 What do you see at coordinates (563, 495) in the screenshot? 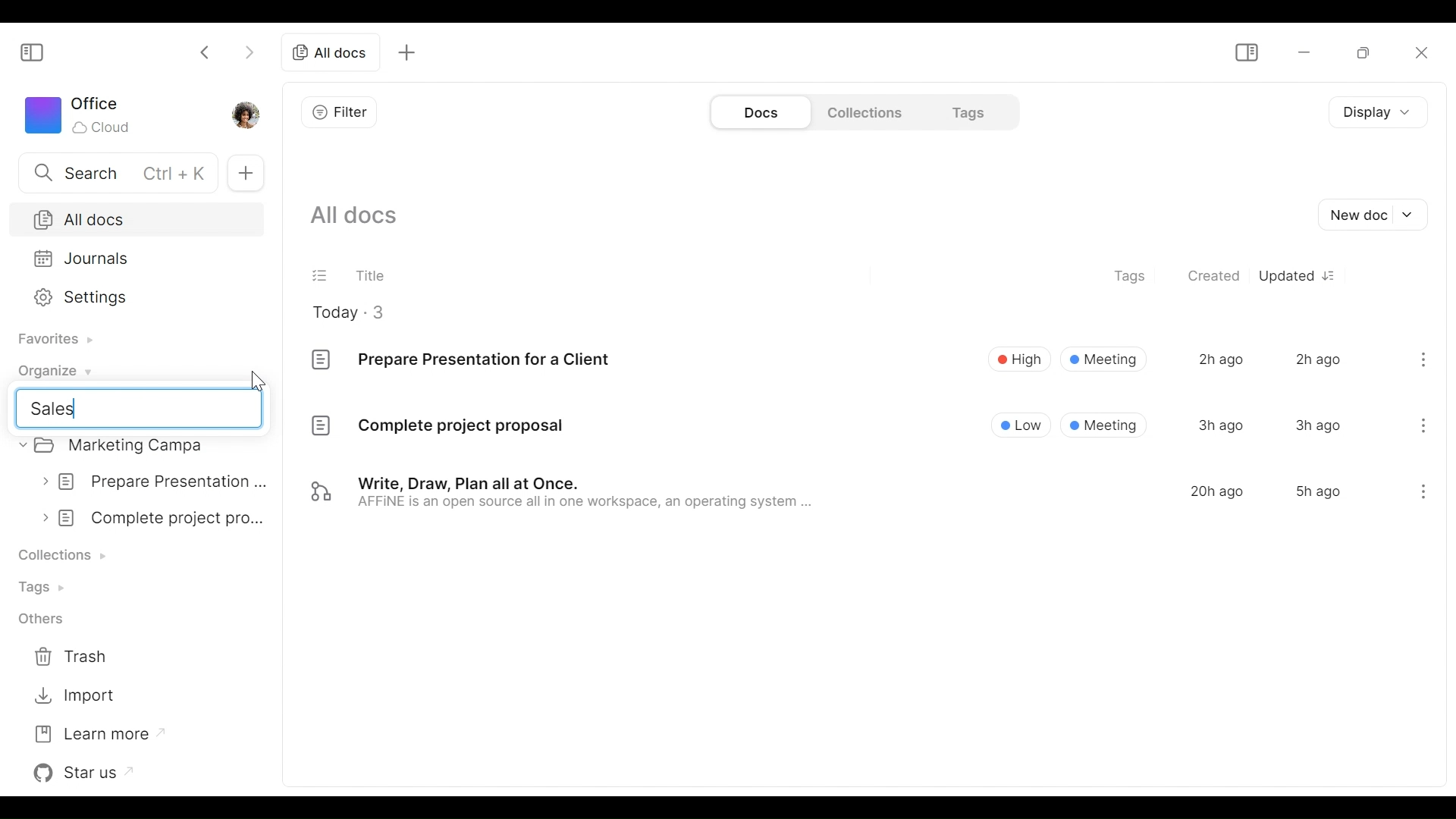
I see `Write, Draw, Plan all at Once. AFFINE is an open source all in one workspace, an operating system ...` at bounding box center [563, 495].